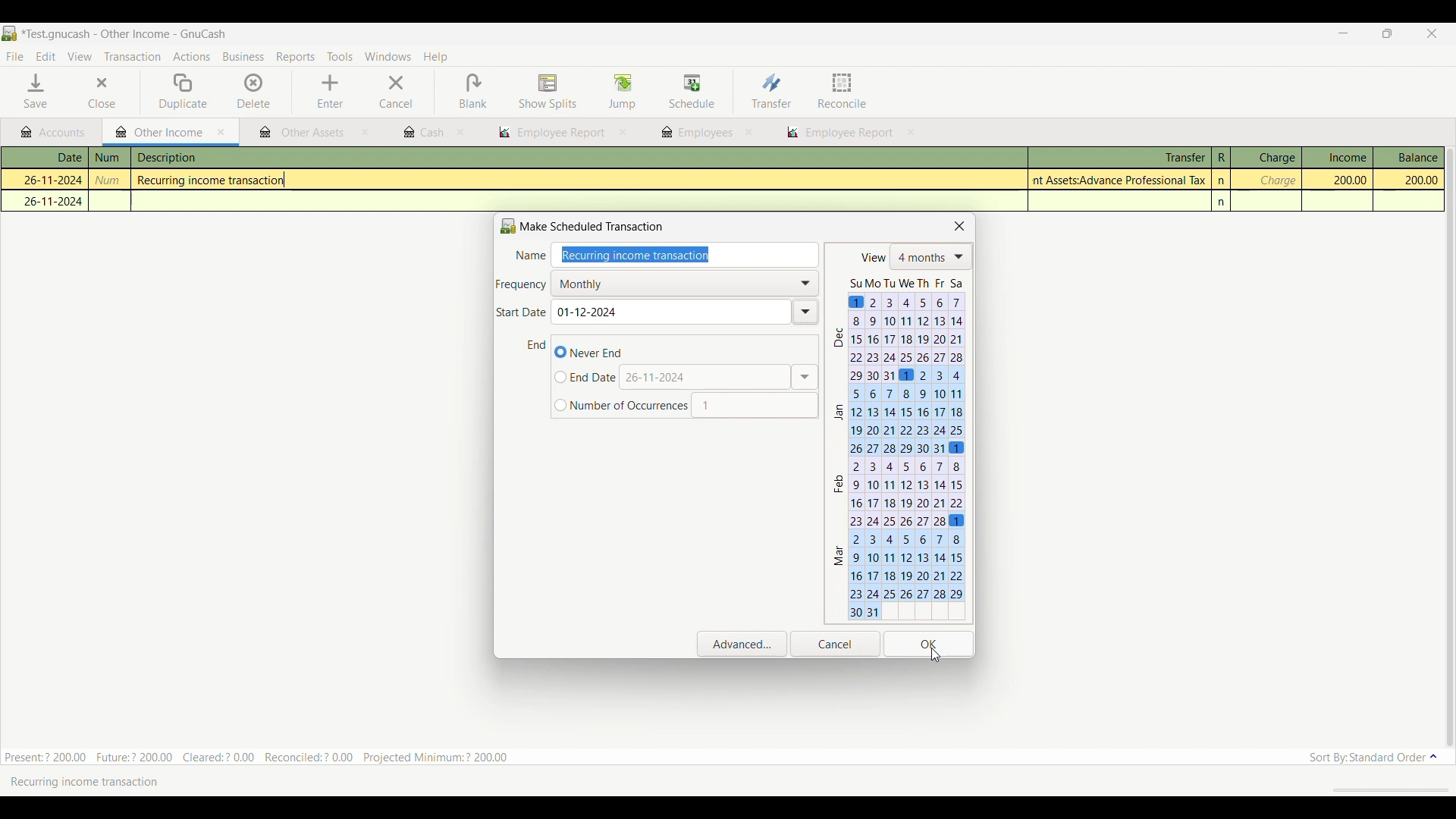  What do you see at coordinates (462, 133) in the screenshot?
I see `close` at bounding box center [462, 133].